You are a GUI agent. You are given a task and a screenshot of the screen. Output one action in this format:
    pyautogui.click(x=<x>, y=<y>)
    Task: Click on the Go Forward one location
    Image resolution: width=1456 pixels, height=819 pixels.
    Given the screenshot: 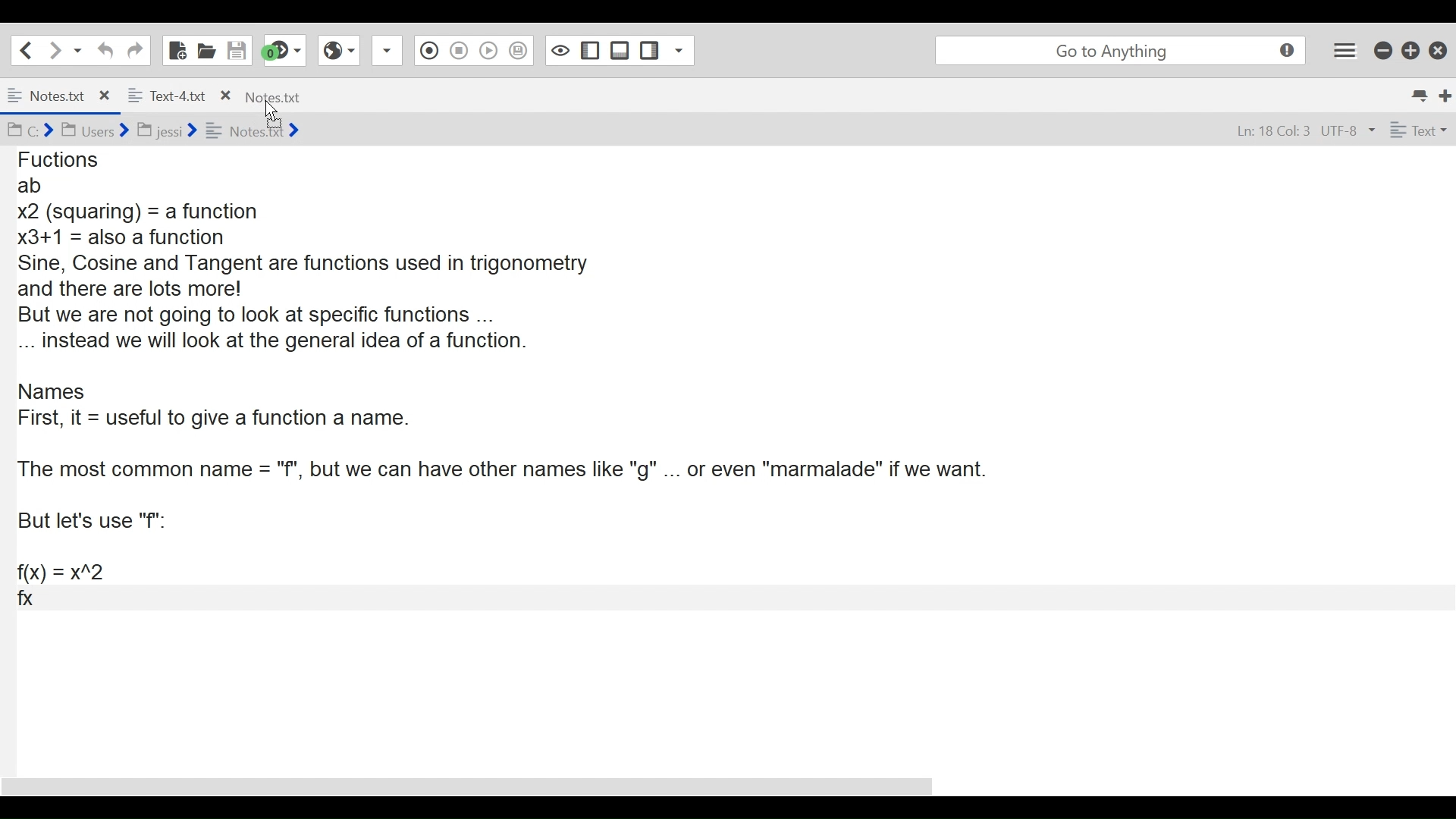 What is the action you would take?
    pyautogui.click(x=54, y=49)
    